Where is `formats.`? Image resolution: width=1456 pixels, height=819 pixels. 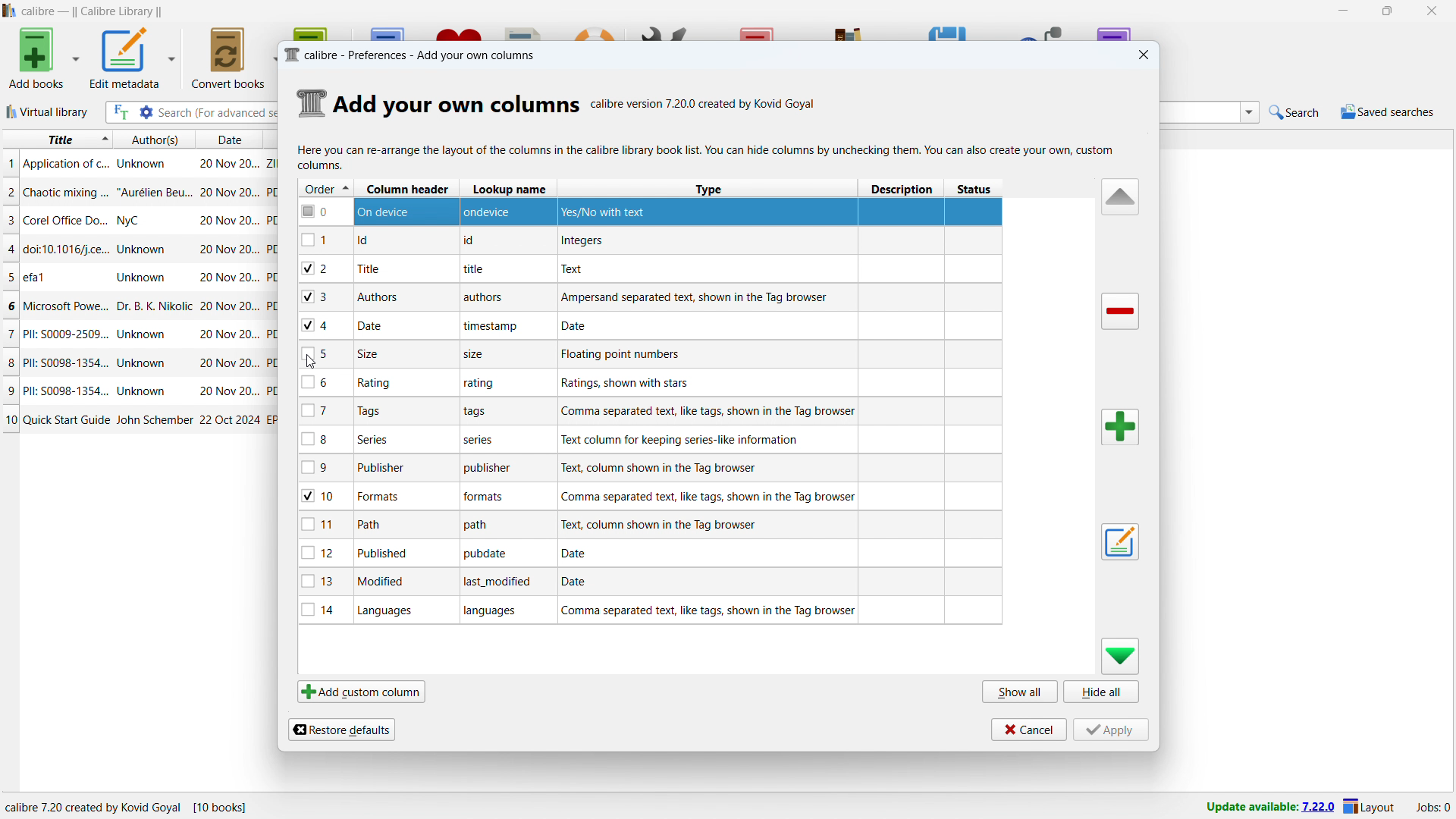 formats. is located at coordinates (486, 499).